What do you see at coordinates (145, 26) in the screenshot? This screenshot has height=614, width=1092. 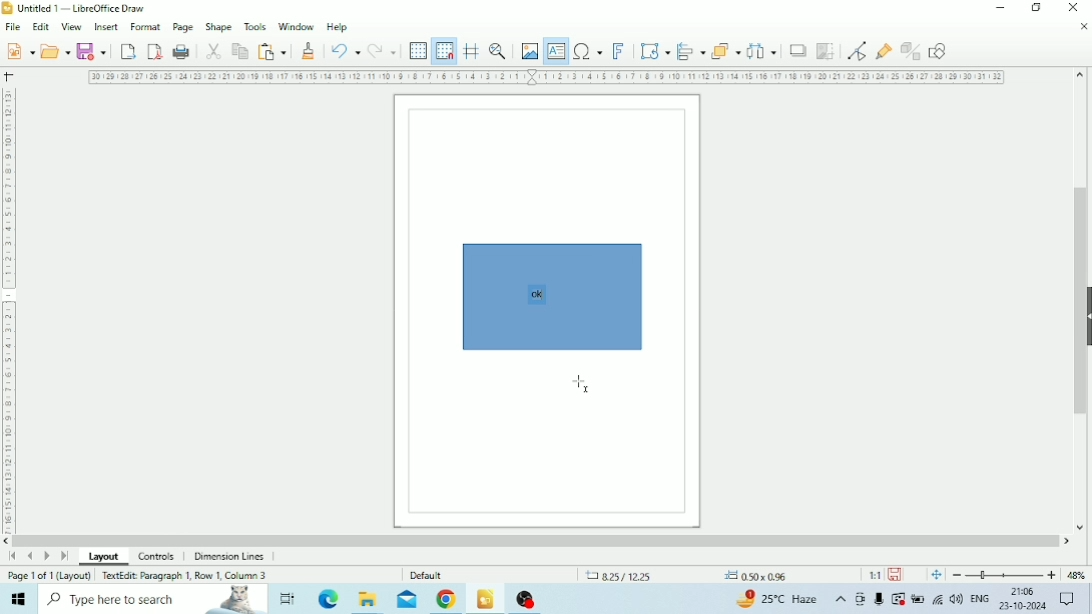 I see `Format` at bounding box center [145, 26].